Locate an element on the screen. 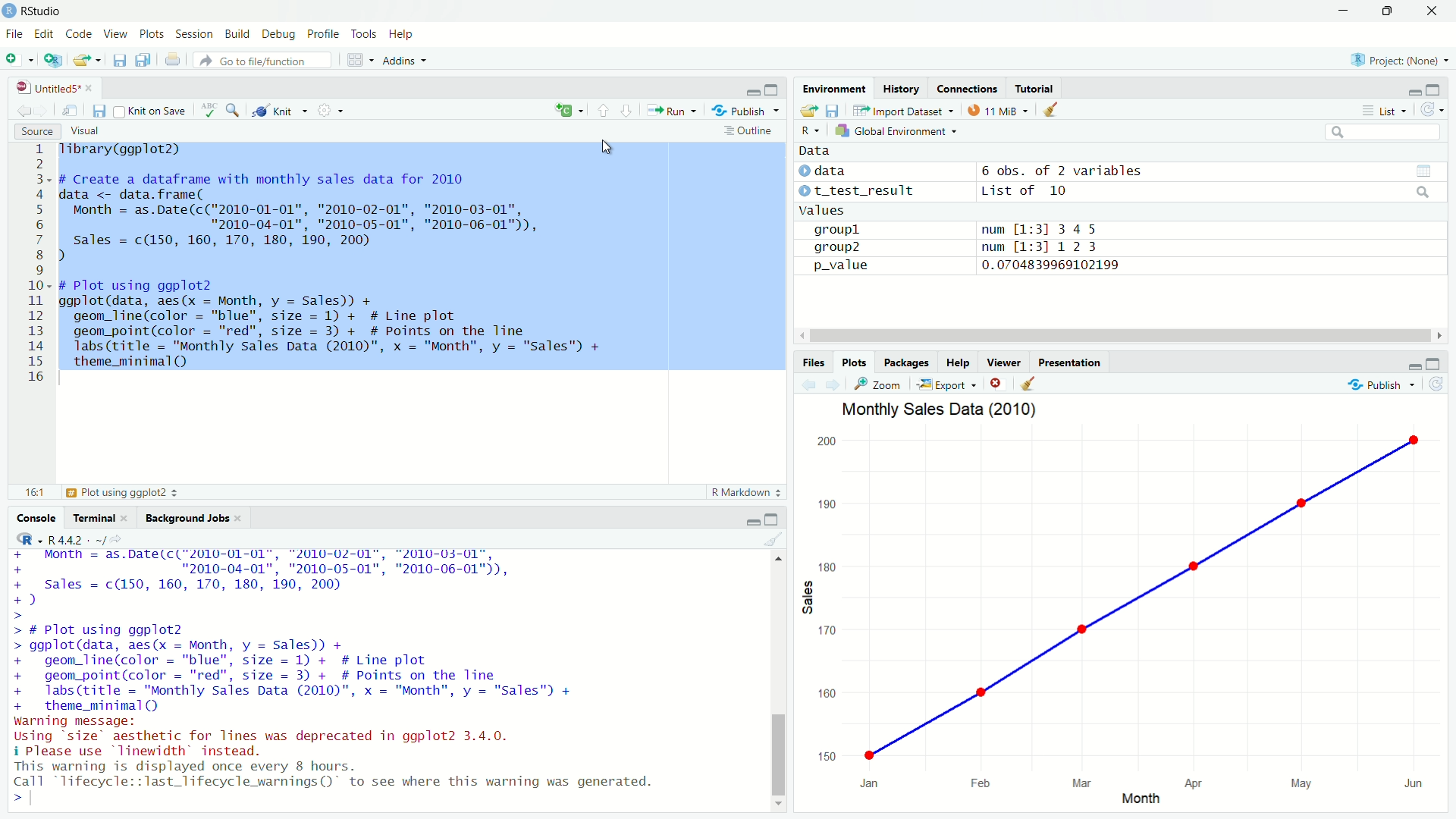 The width and height of the screenshot is (1456, 819). Project: (None)  is located at coordinates (1403, 58).